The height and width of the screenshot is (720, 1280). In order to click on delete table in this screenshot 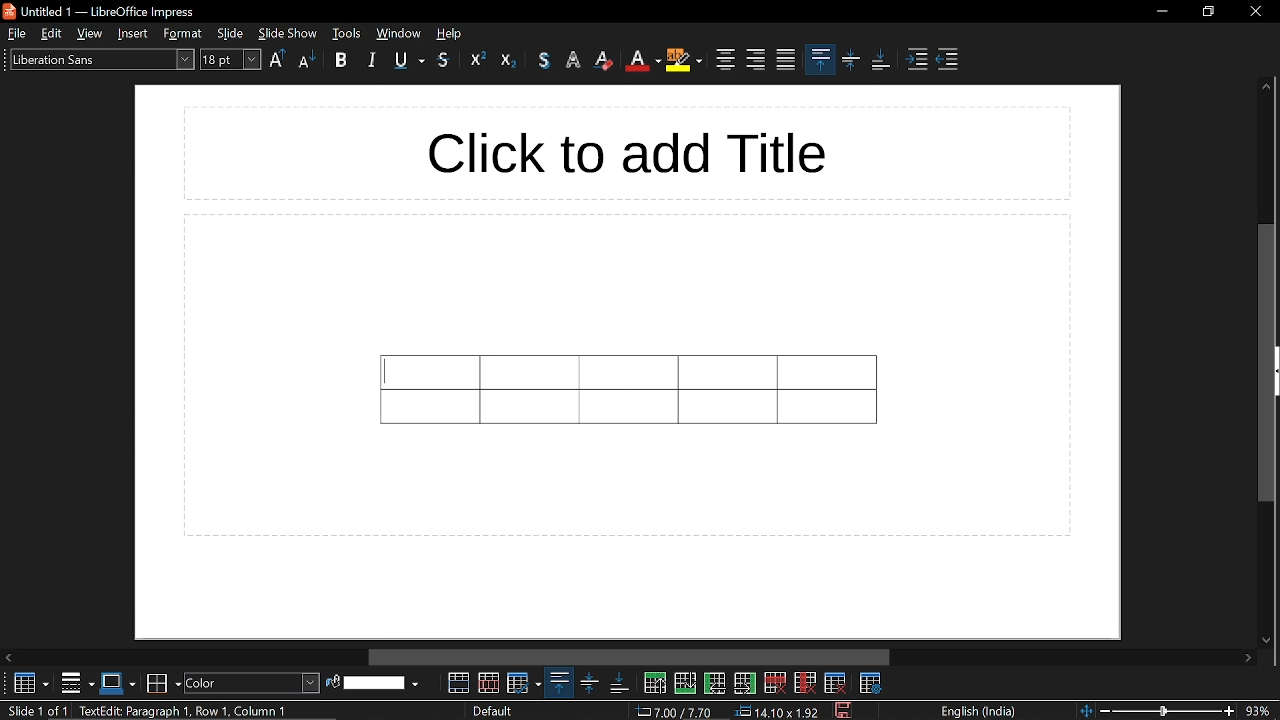, I will do `click(836, 682)`.